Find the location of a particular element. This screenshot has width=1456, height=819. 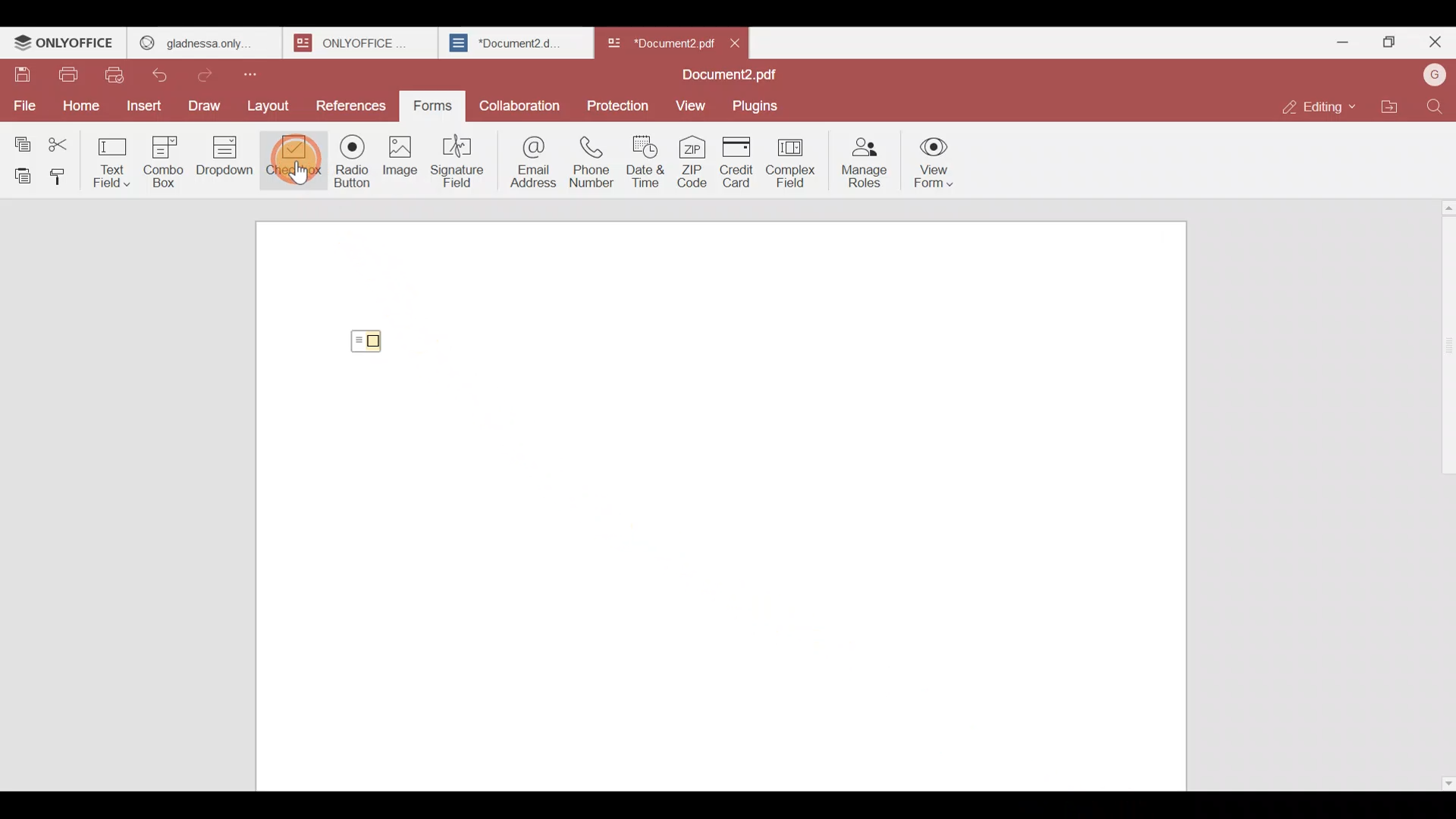

Manage roles is located at coordinates (864, 158).